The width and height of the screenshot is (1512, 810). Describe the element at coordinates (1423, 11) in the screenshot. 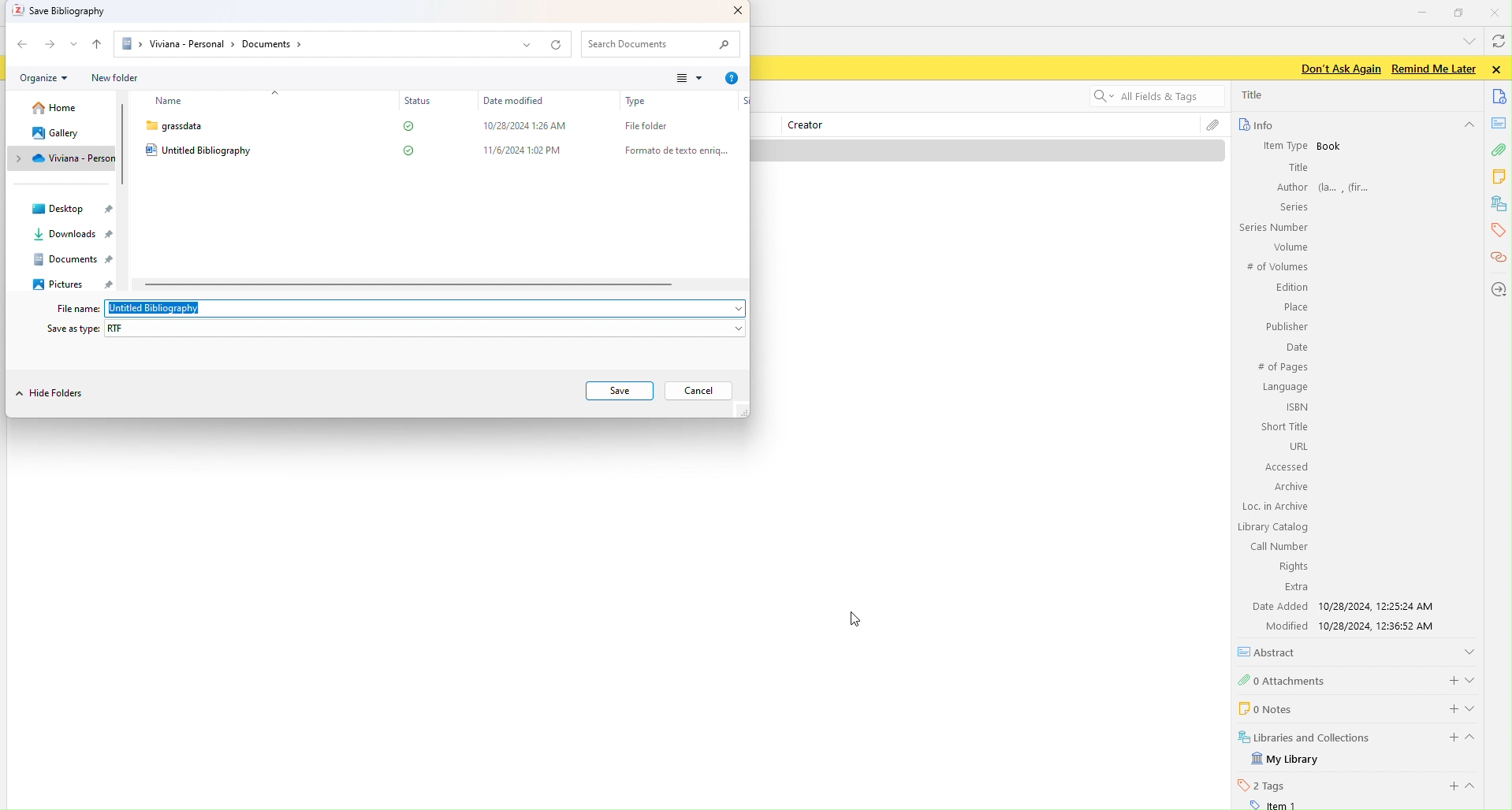

I see `Minimize` at that location.